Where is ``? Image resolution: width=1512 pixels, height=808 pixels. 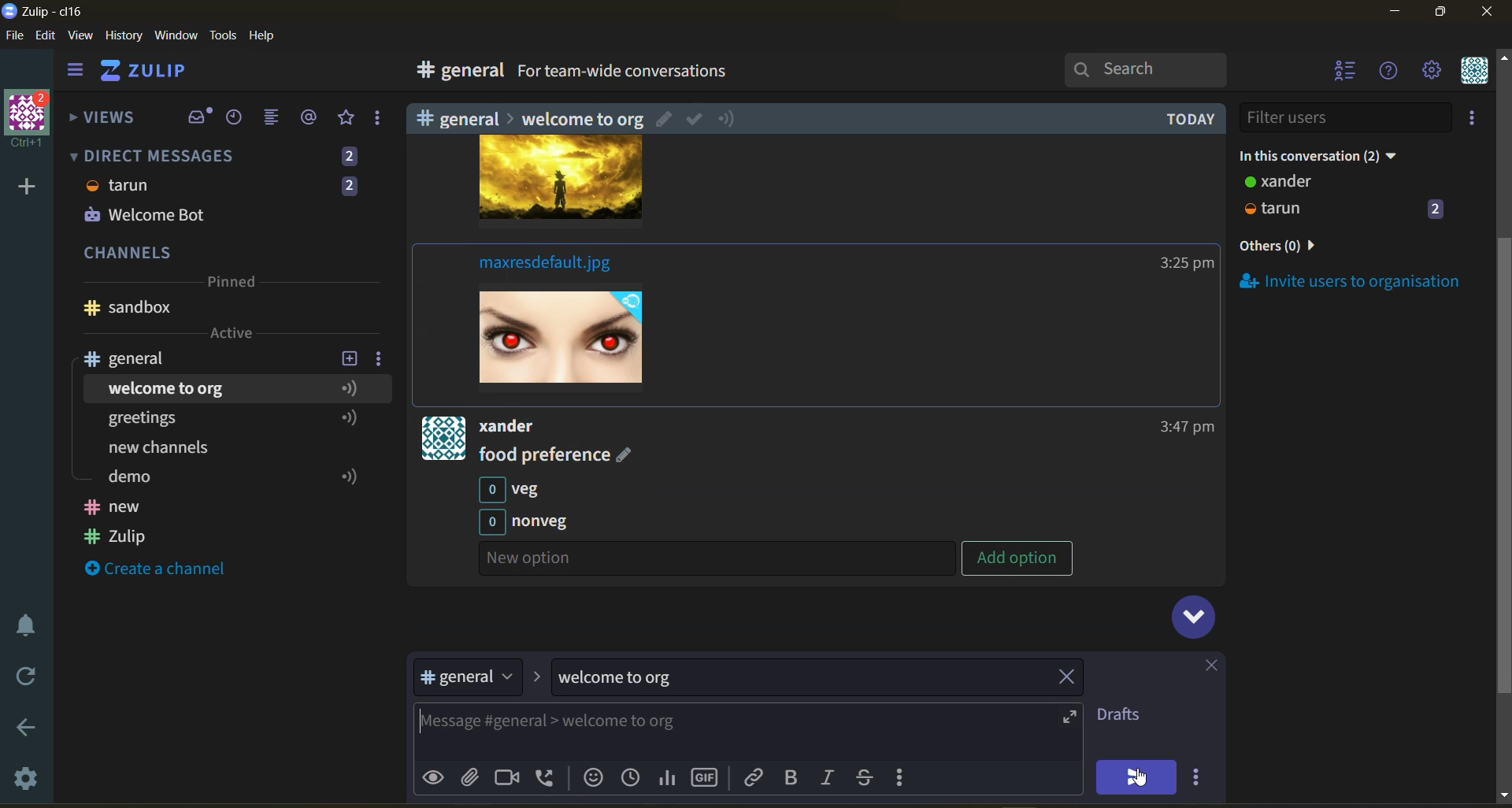
 is located at coordinates (575, 117).